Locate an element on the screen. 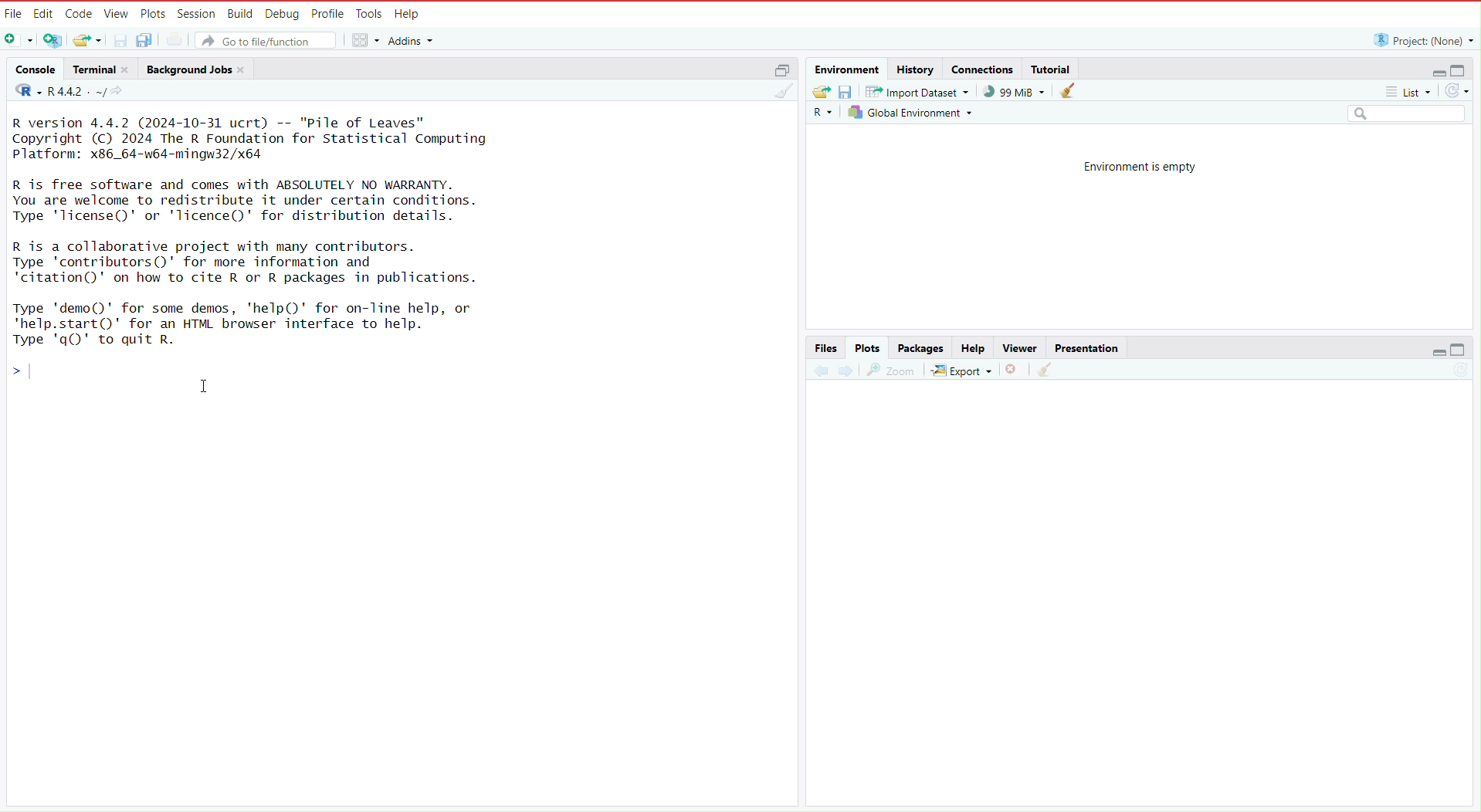 This screenshot has height=812, width=1481. next plot is located at coordinates (846, 371).